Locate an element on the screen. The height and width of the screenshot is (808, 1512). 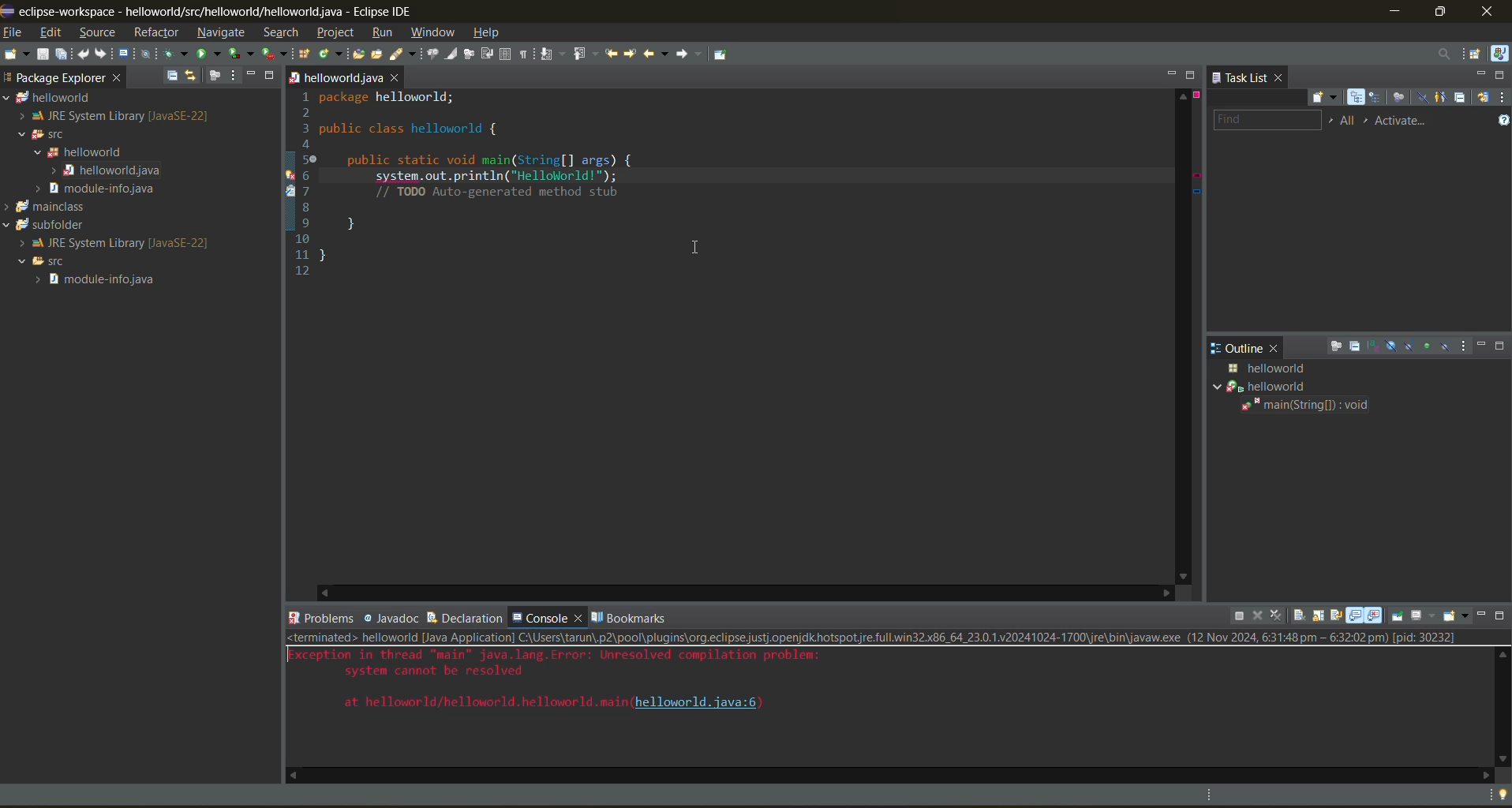
bookmarks is located at coordinates (649, 619).